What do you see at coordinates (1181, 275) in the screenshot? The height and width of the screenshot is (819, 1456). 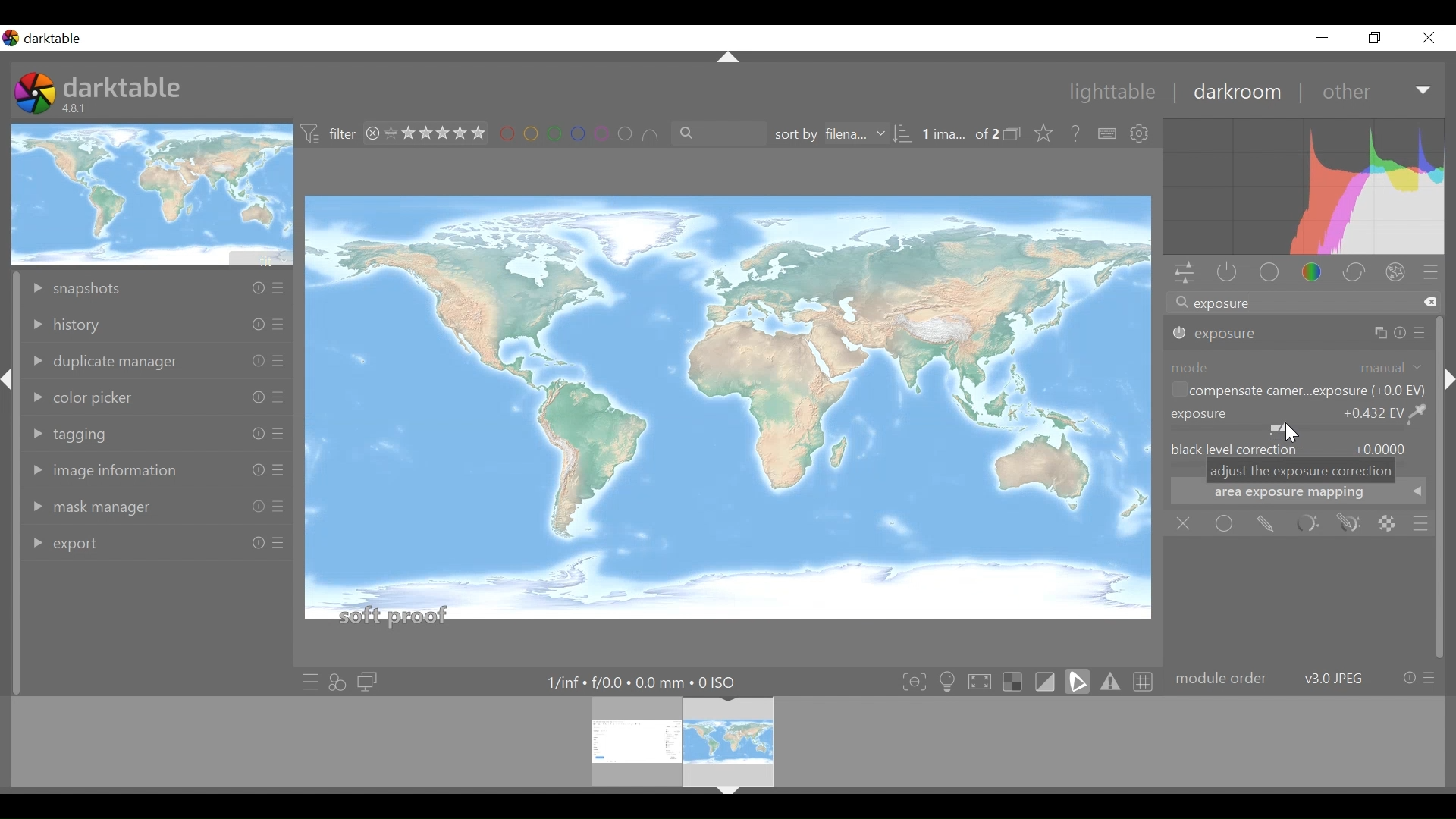 I see `quick access panel` at bounding box center [1181, 275].